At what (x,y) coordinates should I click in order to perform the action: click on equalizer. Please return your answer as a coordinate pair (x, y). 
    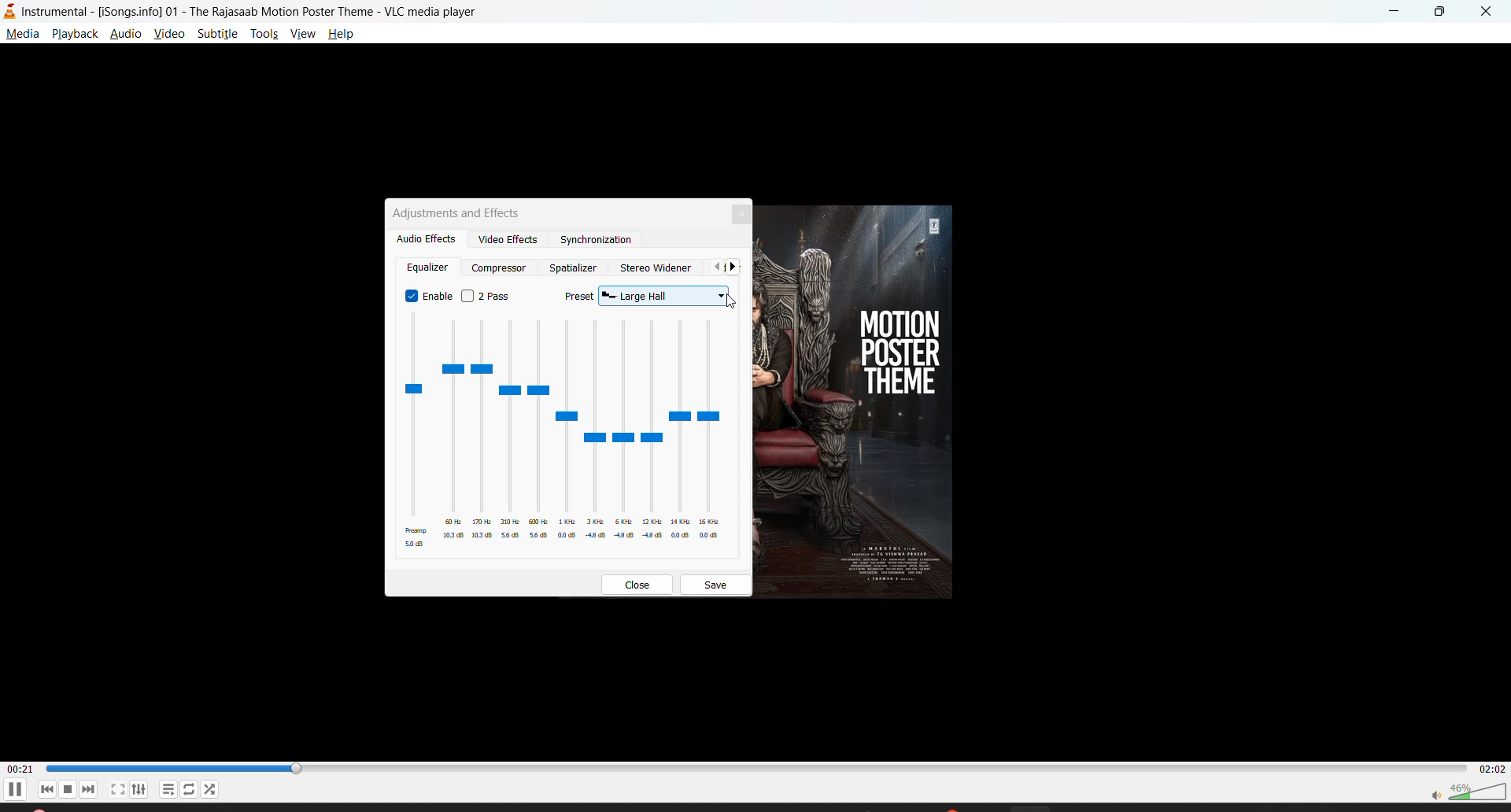
    Looking at the image, I should click on (430, 269).